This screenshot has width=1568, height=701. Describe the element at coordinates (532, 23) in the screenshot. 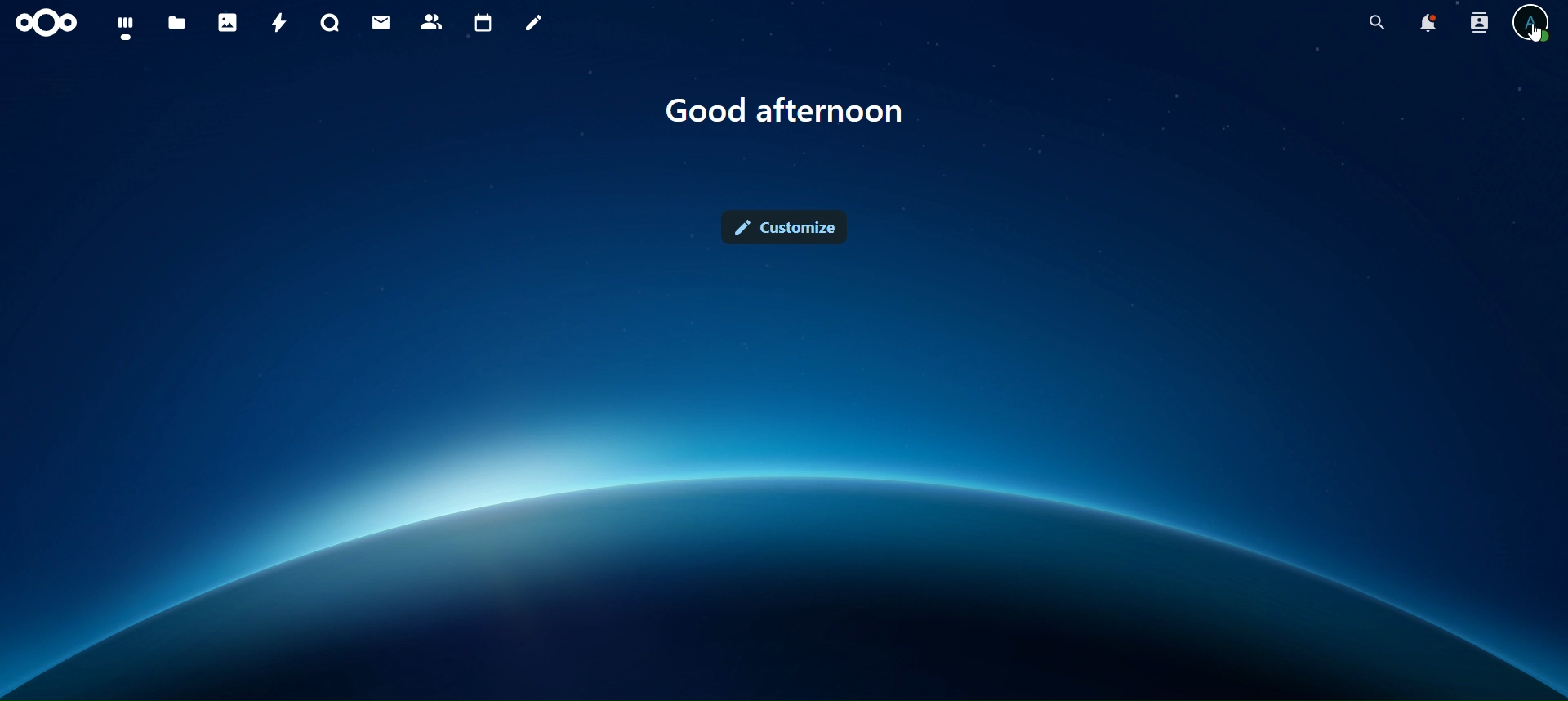

I see `notes` at that location.